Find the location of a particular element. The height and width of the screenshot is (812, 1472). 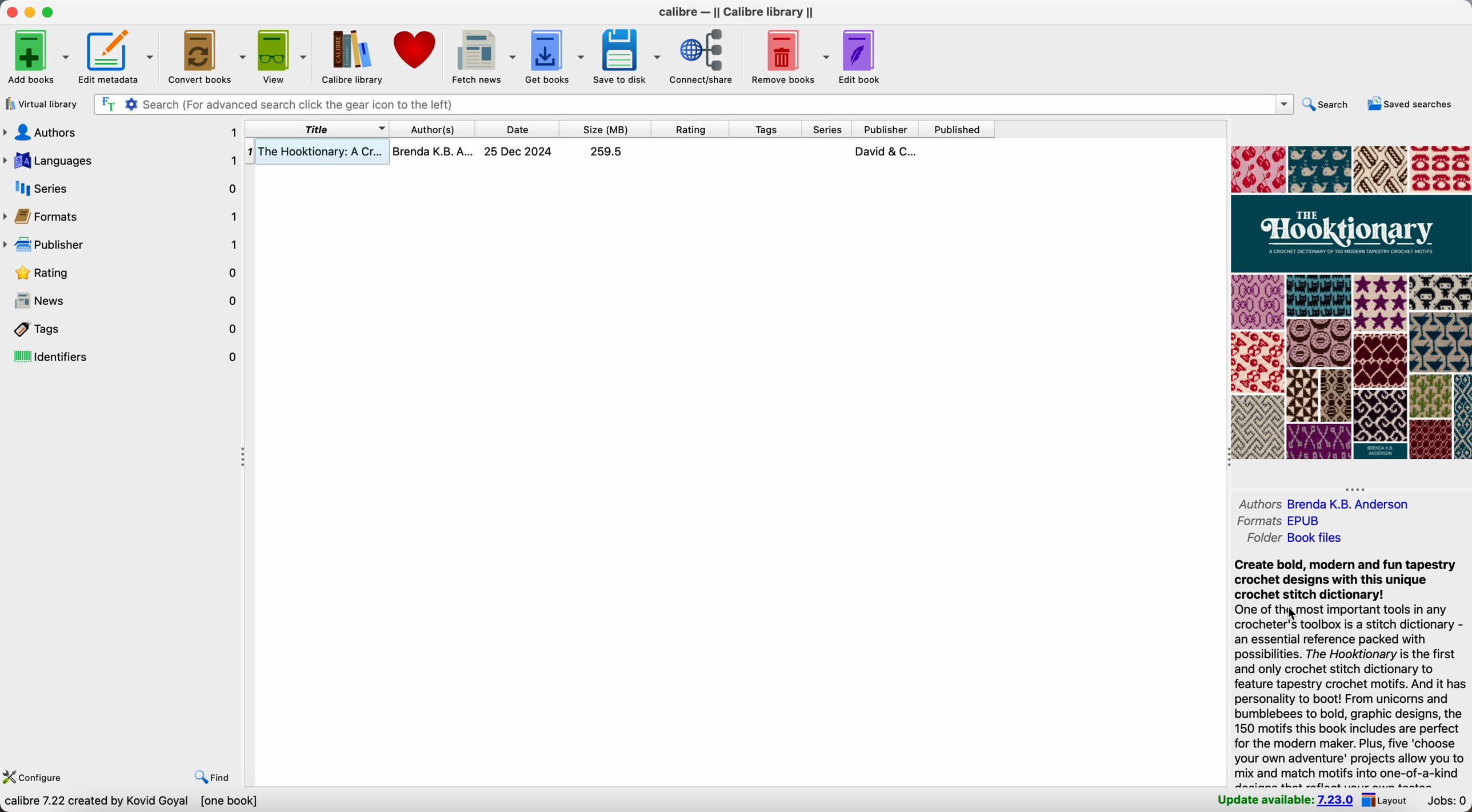

add books is located at coordinates (37, 57).